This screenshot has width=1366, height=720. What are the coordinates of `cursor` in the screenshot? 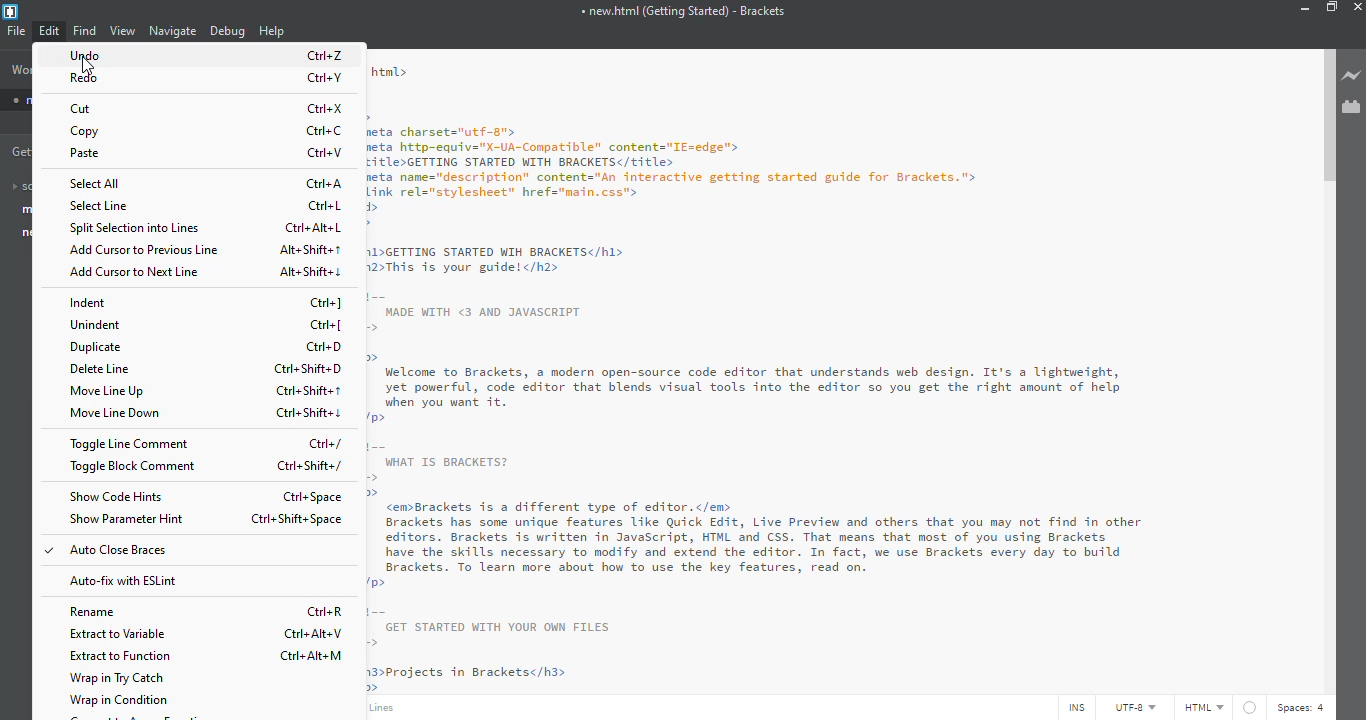 It's located at (55, 40).